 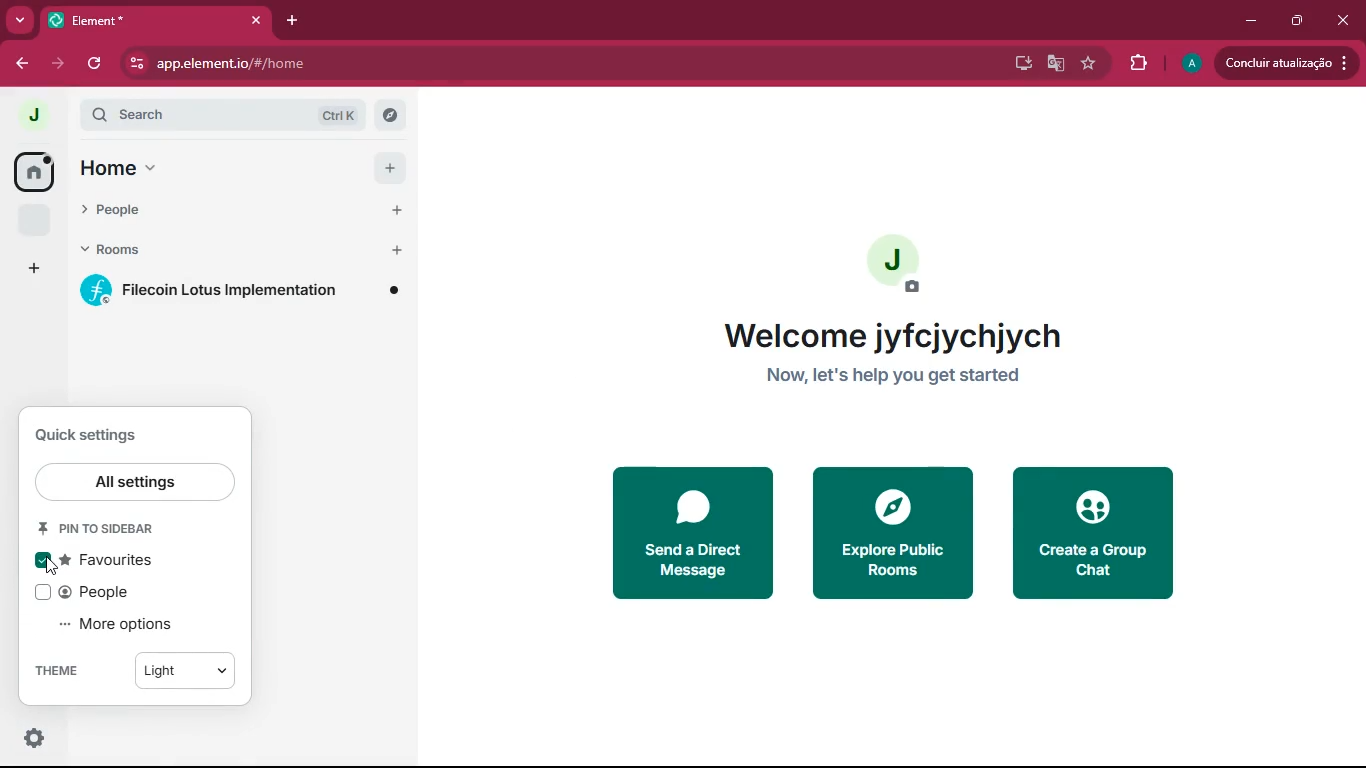 What do you see at coordinates (23, 66) in the screenshot?
I see `back` at bounding box center [23, 66].